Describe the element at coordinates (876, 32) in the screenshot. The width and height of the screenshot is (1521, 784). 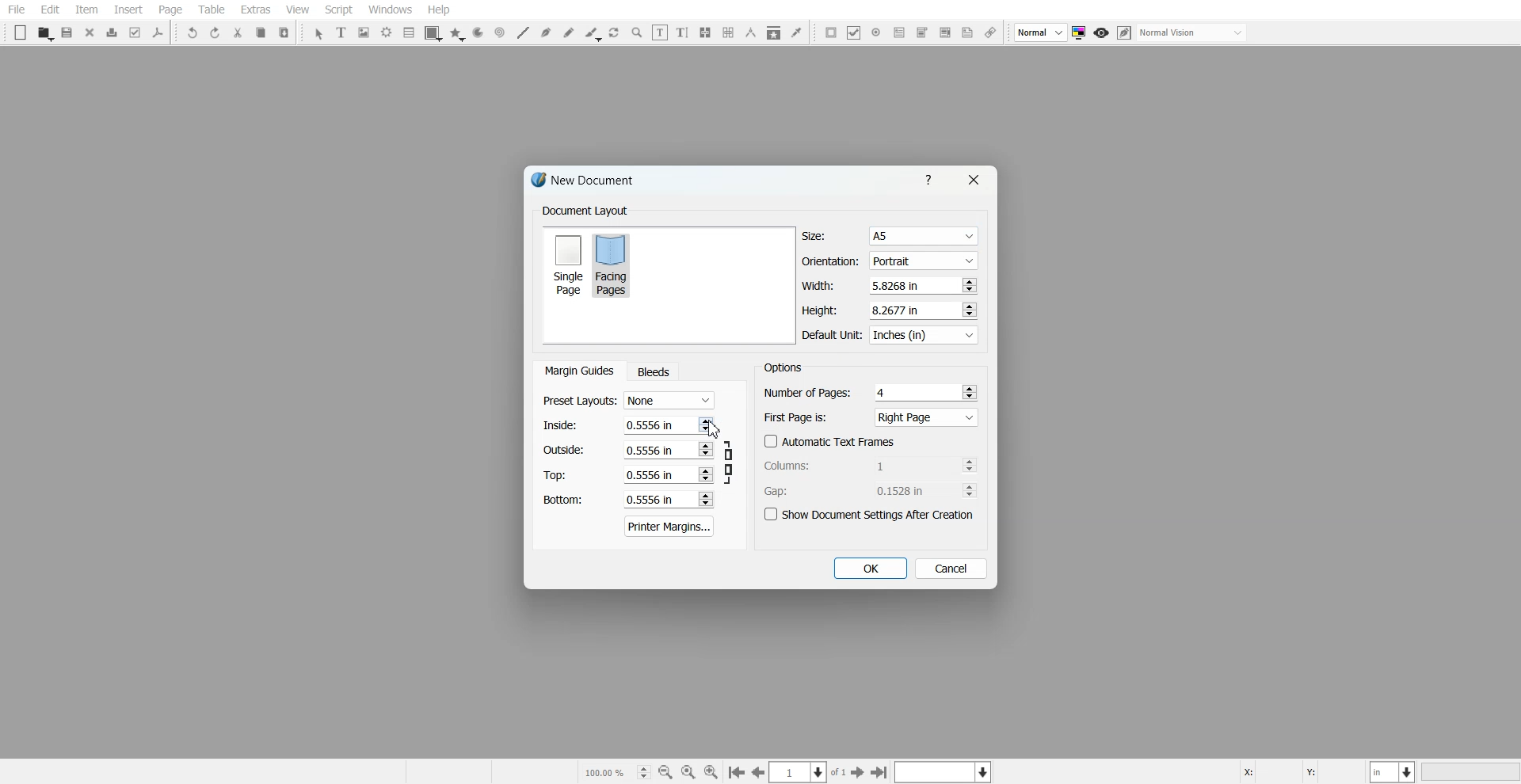
I see `PDF Radio Button` at that location.